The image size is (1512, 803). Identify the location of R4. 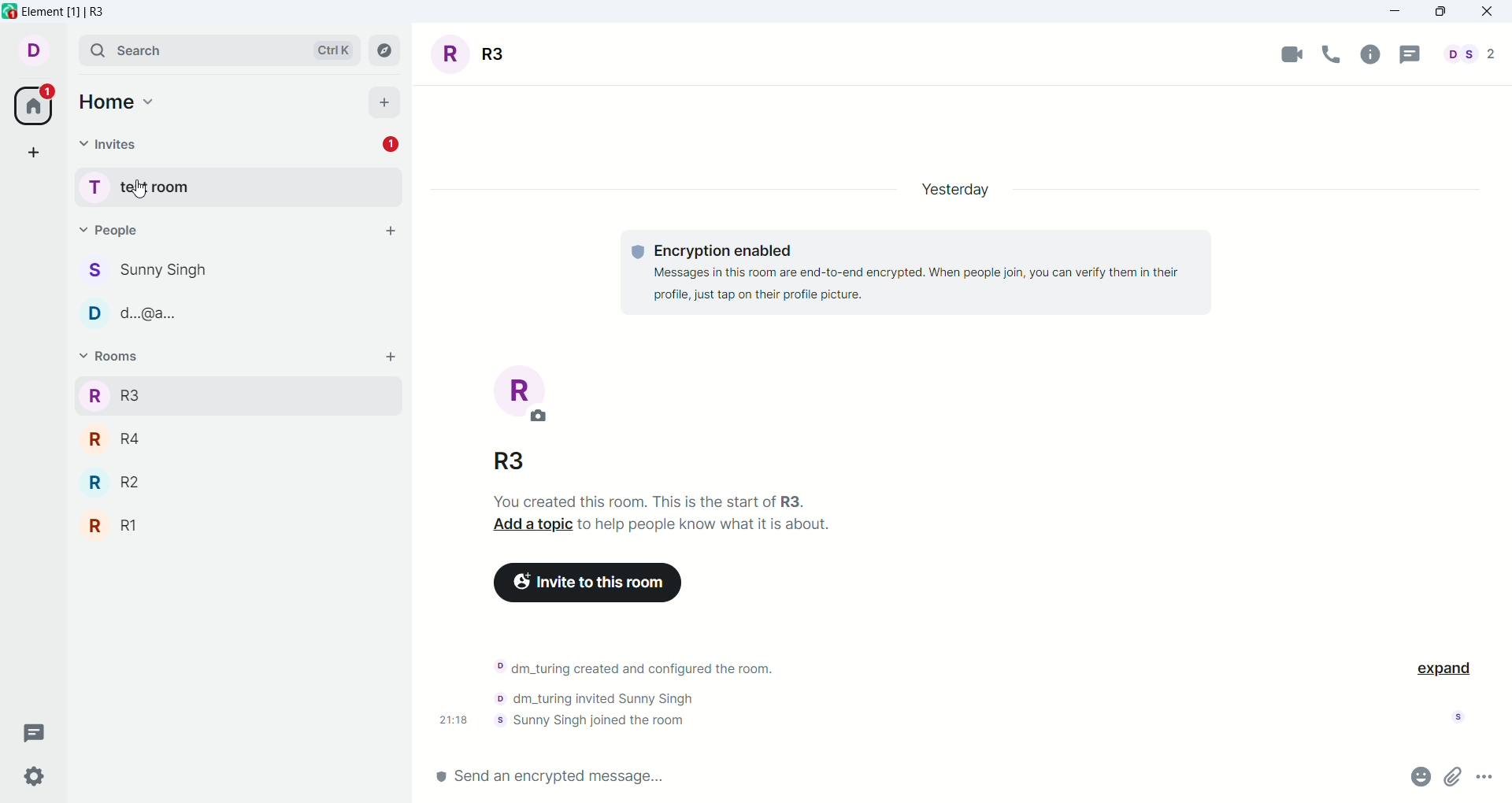
(236, 438).